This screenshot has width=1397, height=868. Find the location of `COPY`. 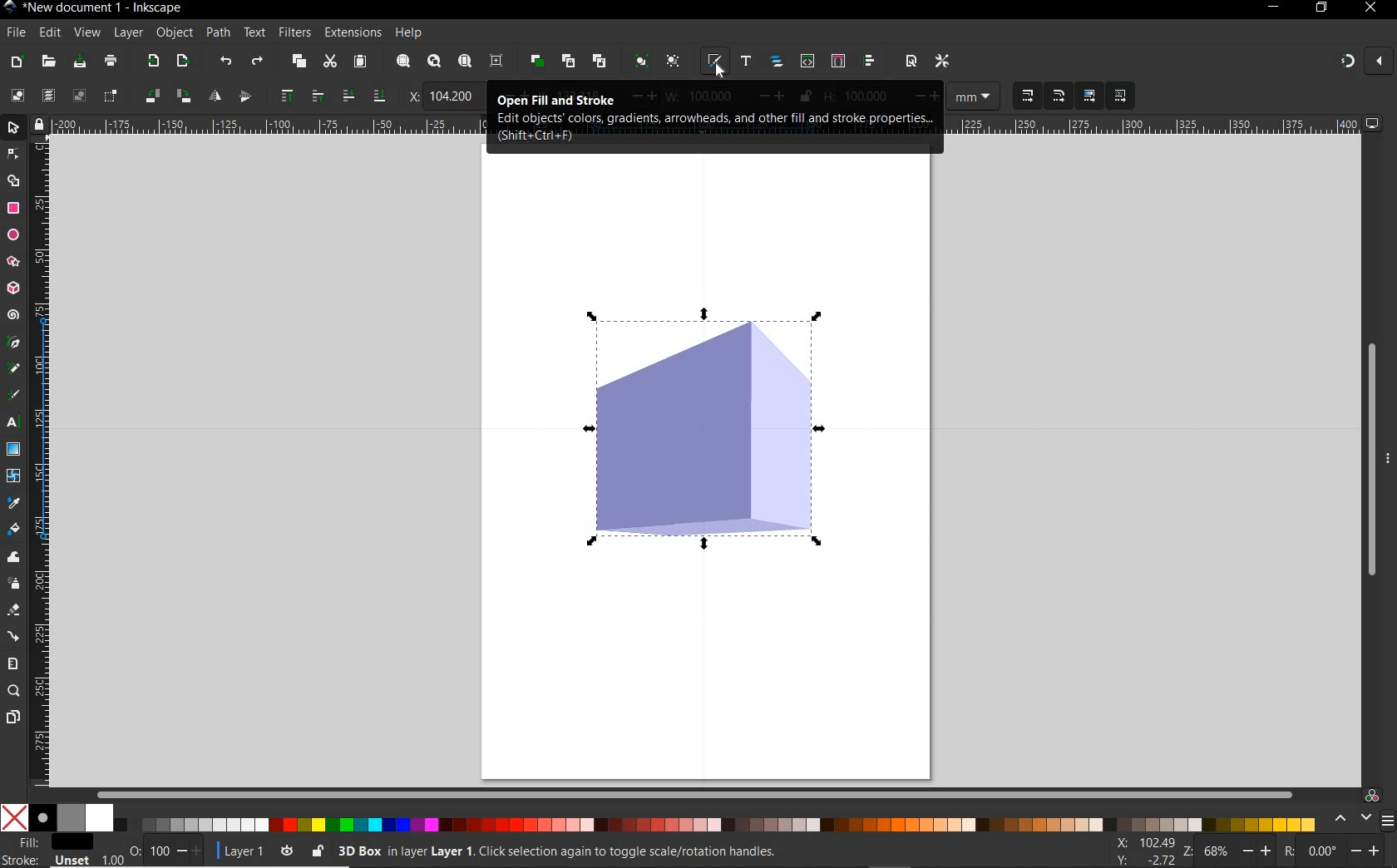

COPY is located at coordinates (300, 63).